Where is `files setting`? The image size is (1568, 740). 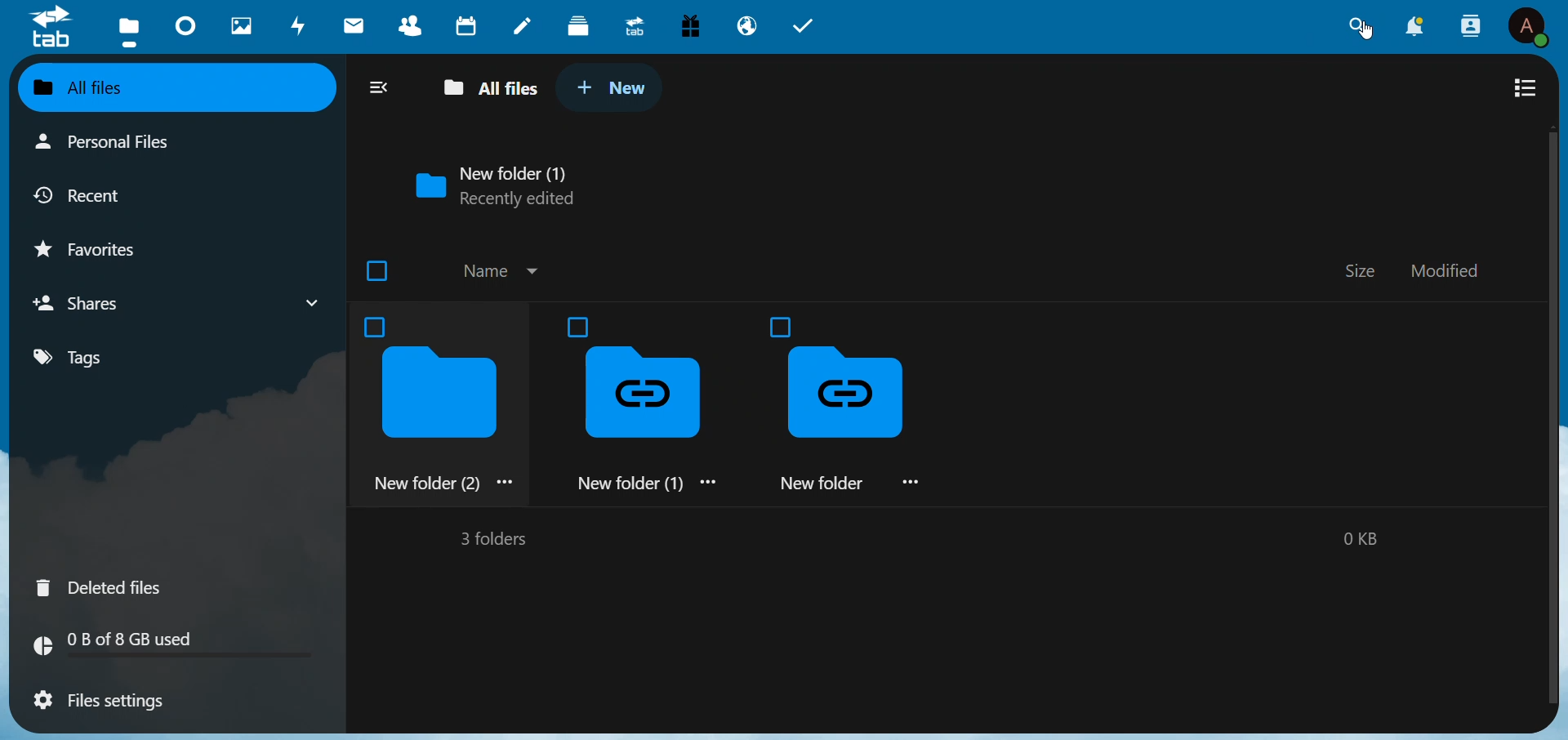 files setting is located at coordinates (95, 702).